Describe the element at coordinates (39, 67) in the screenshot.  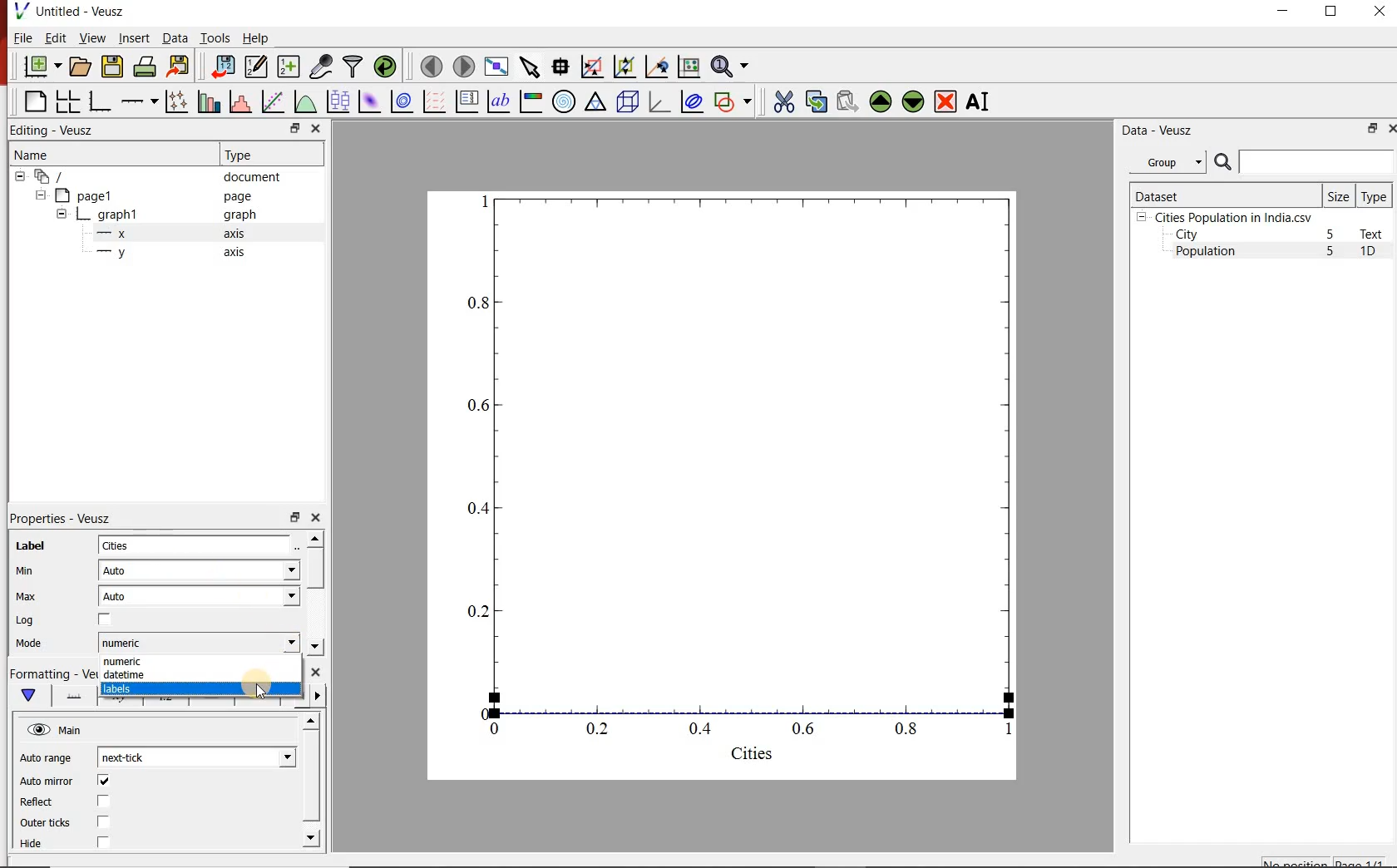
I see `new document` at that location.